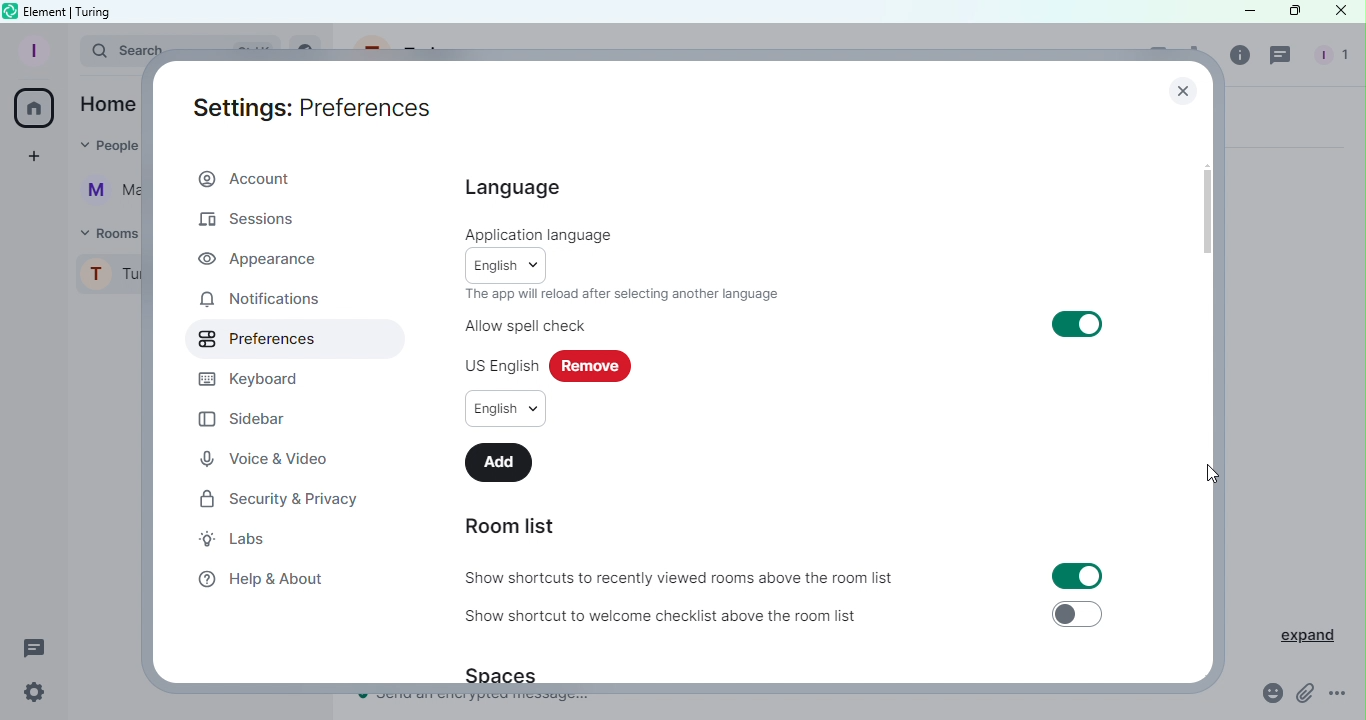 This screenshot has width=1366, height=720. What do you see at coordinates (106, 232) in the screenshot?
I see `Rooms` at bounding box center [106, 232].